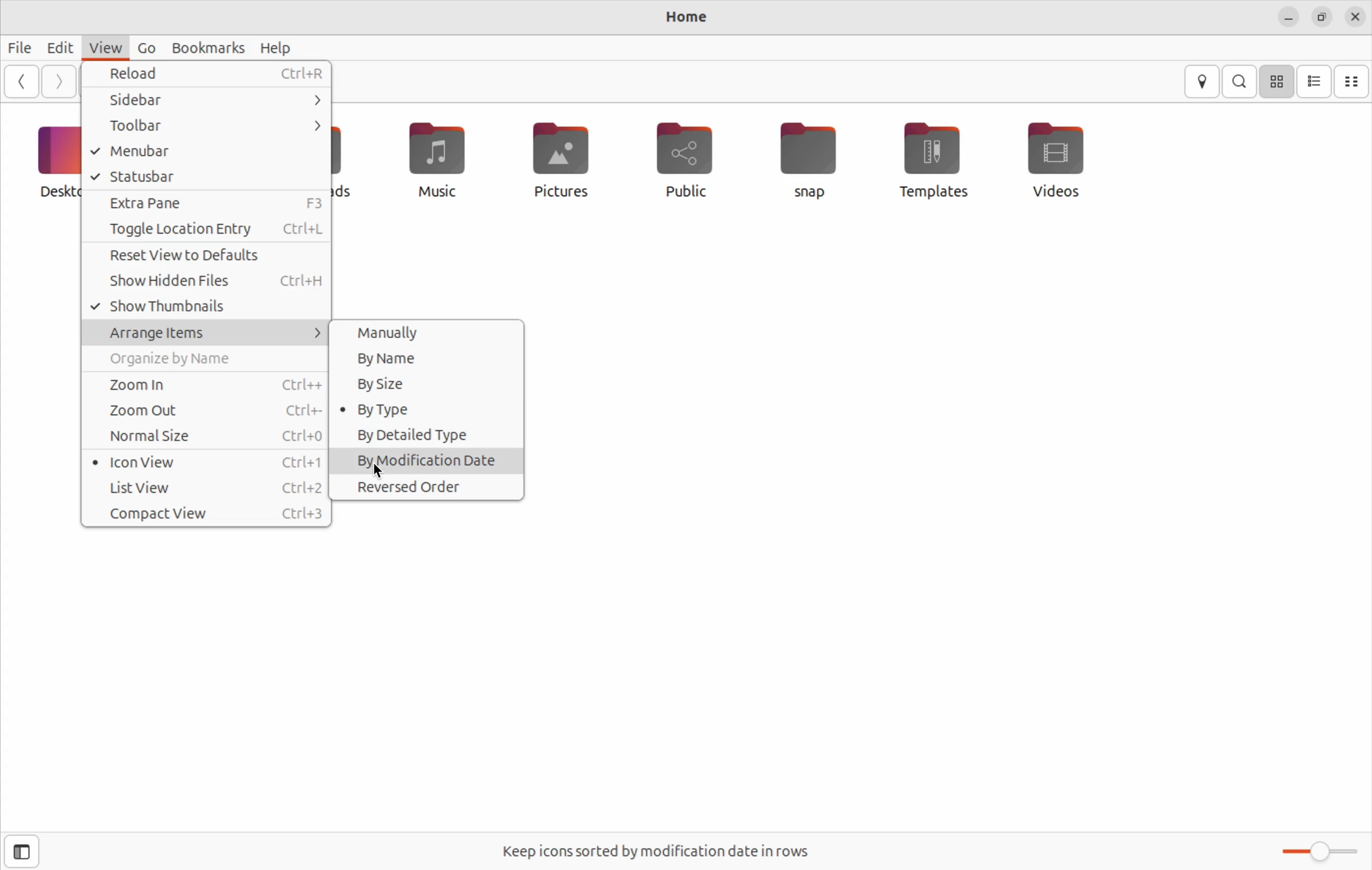 Image resolution: width=1372 pixels, height=870 pixels. What do you see at coordinates (1288, 18) in the screenshot?
I see `minimize` at bounding box center [1288, 18].